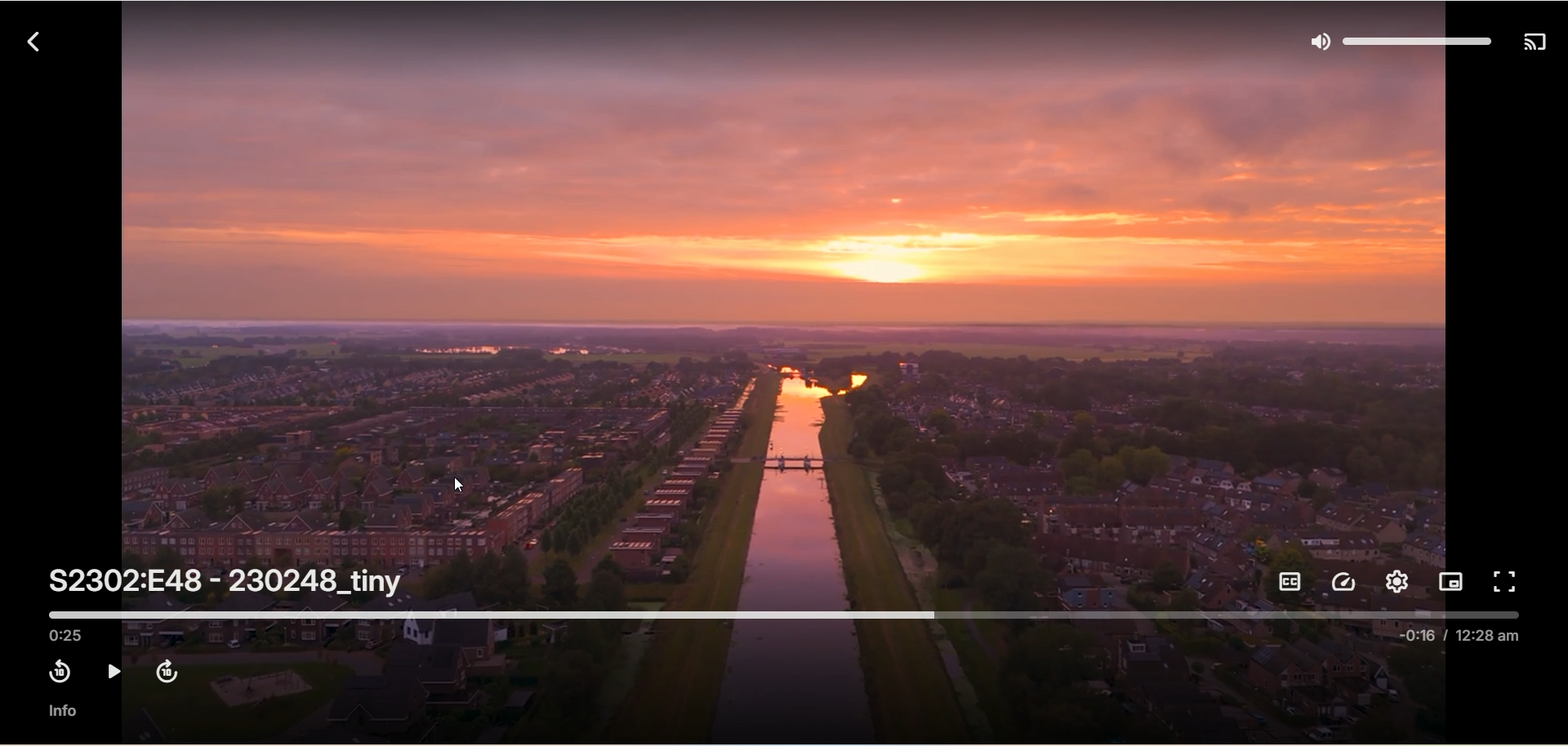 The width and height of the screenshot is (1568, 746). Describe the element at coordinates (1535, 44) in the screenshot. I see `play on another device` at that location.